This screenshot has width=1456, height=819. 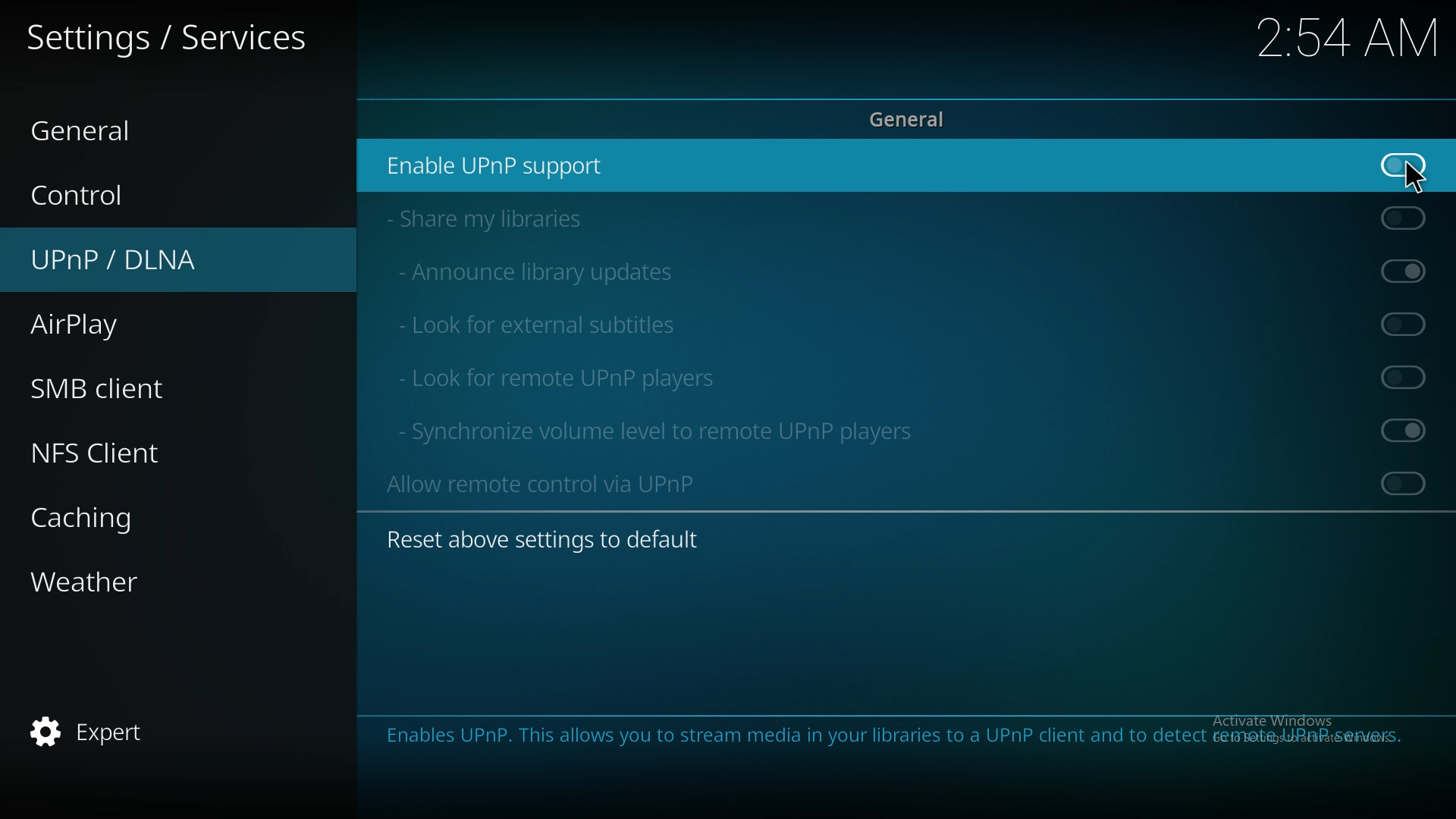 I want to click on Enable the UPnP control point. This allows you to stream media to any UPnP client and control, so click(x=775, y=744).